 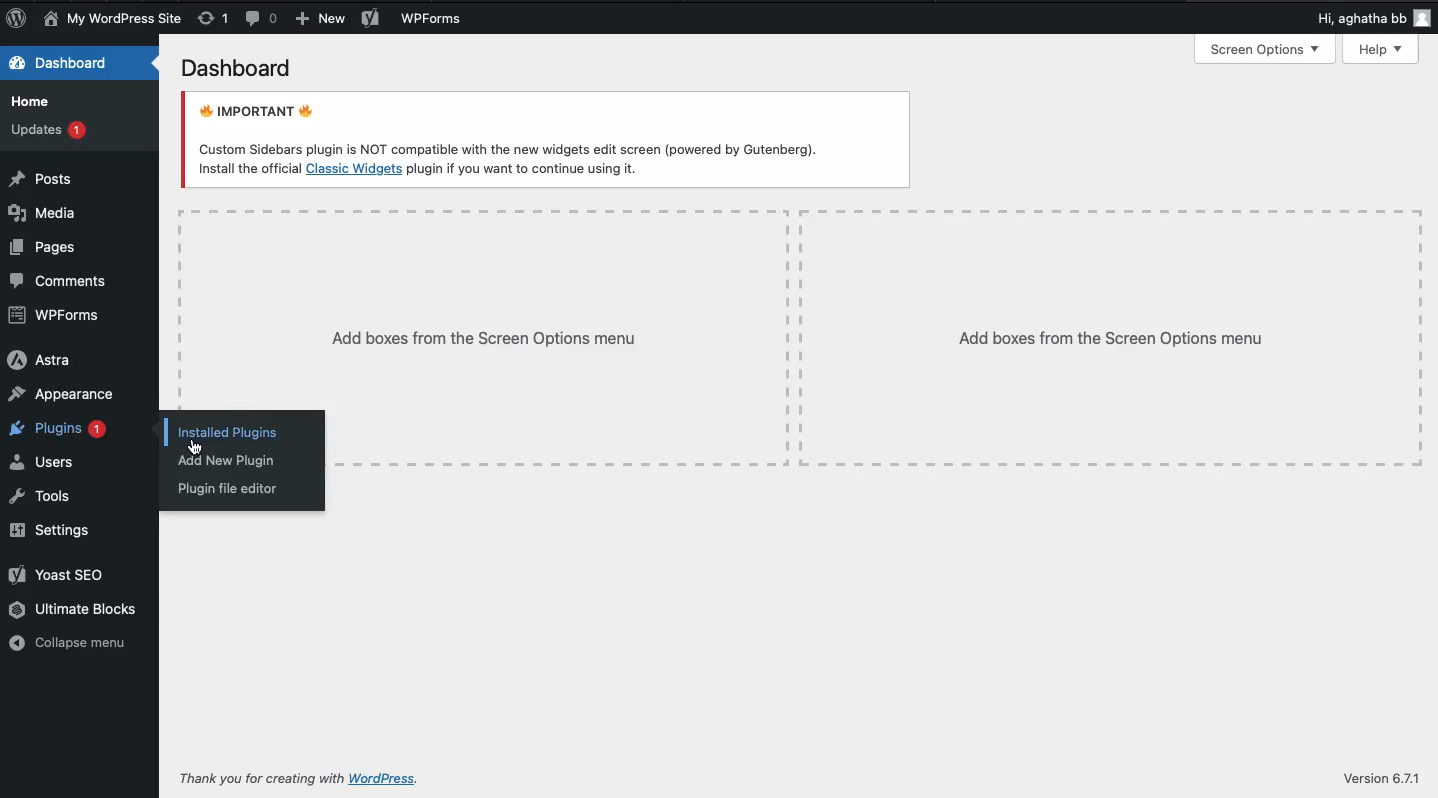 I want to click on Home, so click(x=30, y=101).